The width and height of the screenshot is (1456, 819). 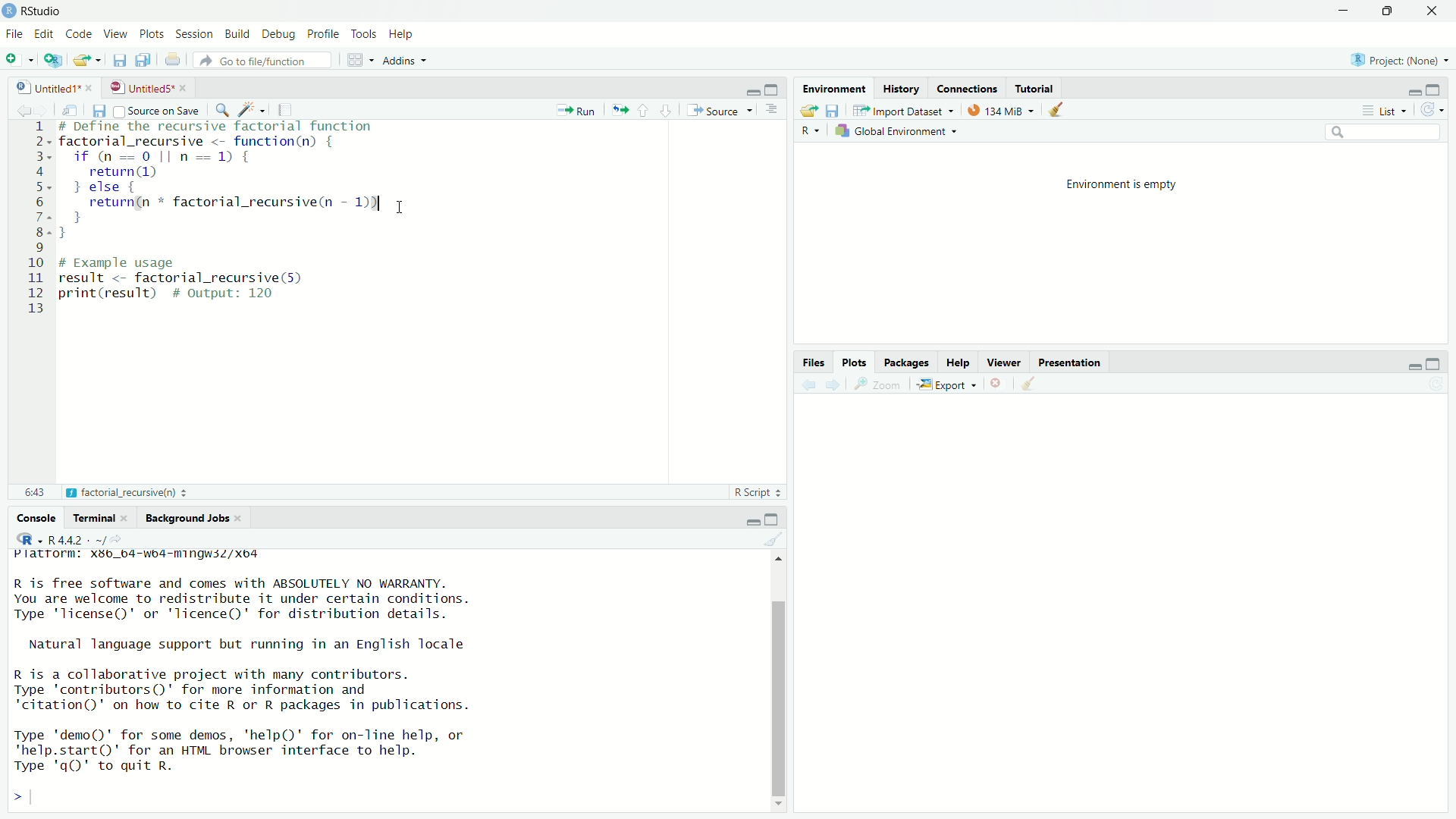 What do you see at coordinates (1383, 110) in the screenshot?
I see `List` at bounding box center [1383, 110].